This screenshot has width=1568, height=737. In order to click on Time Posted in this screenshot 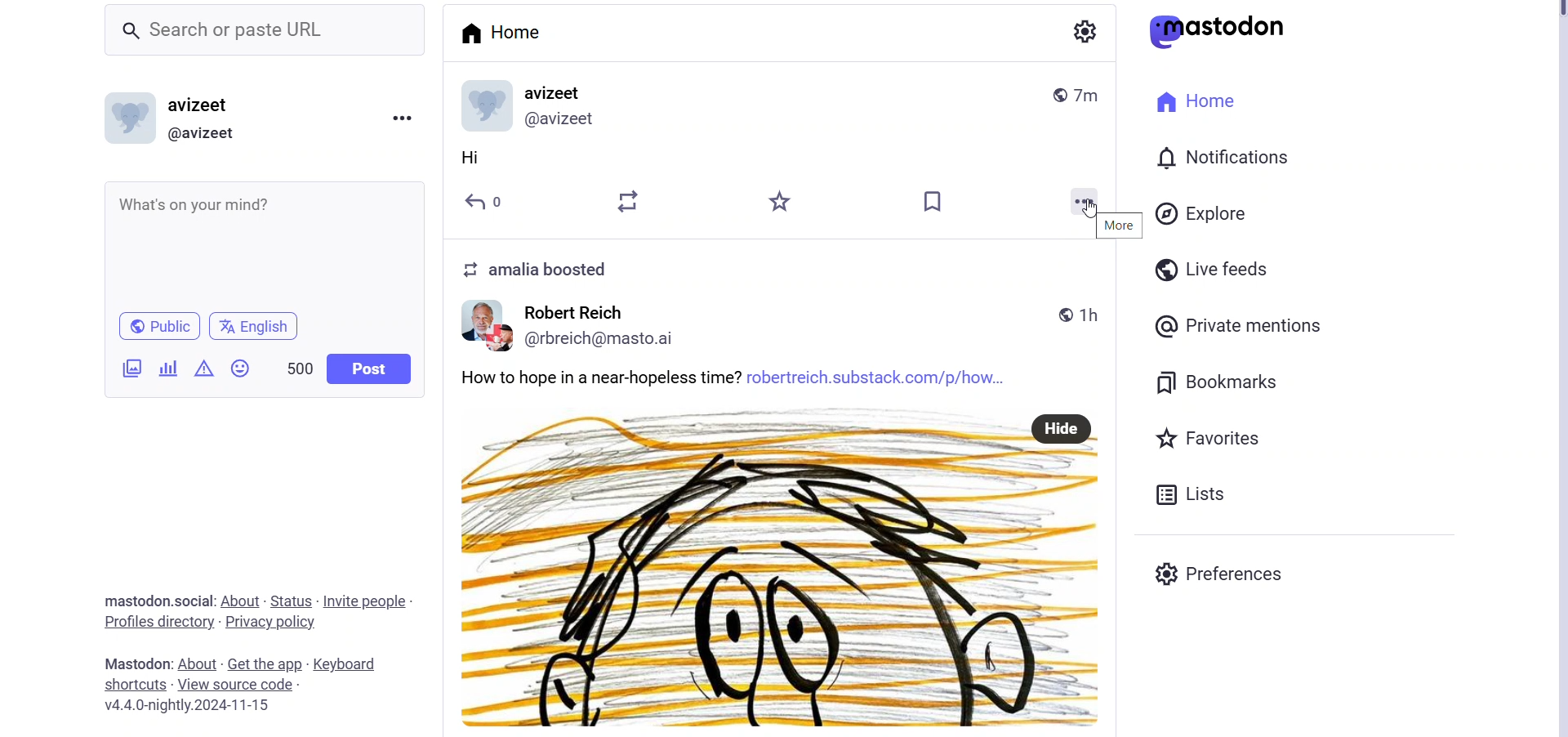, I will do `click(1078, 313)`.